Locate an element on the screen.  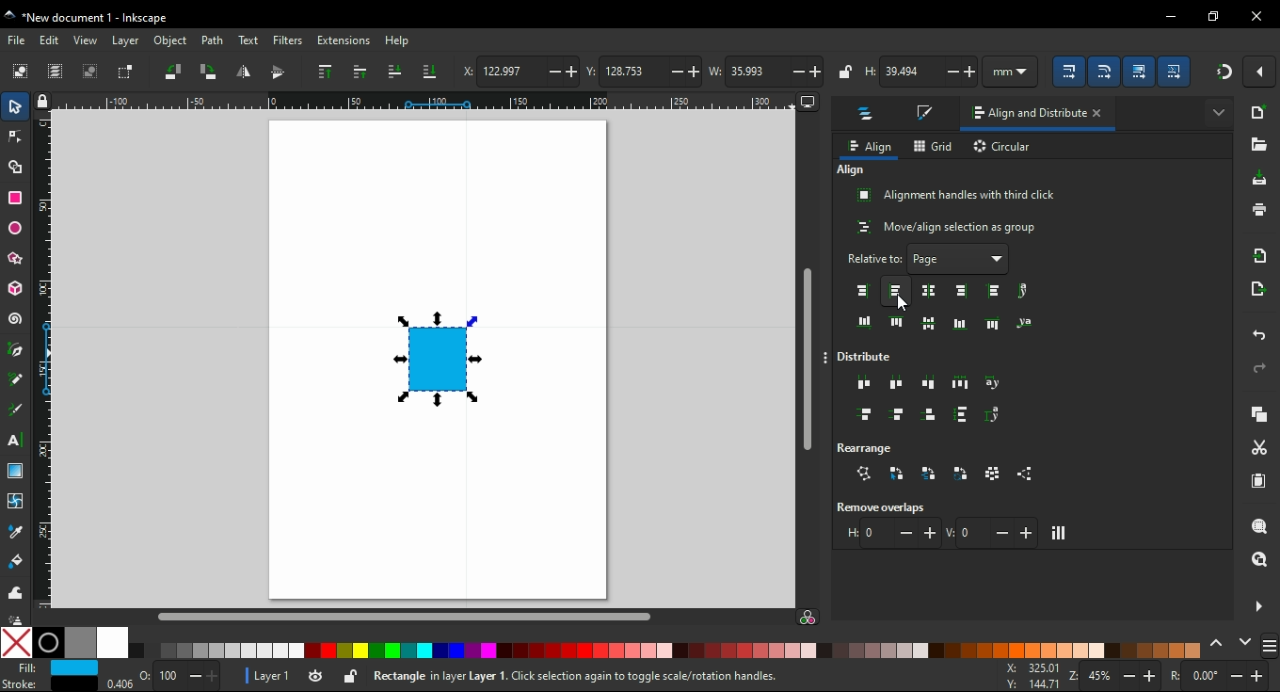
cursor is located at coordinates (902, 304).